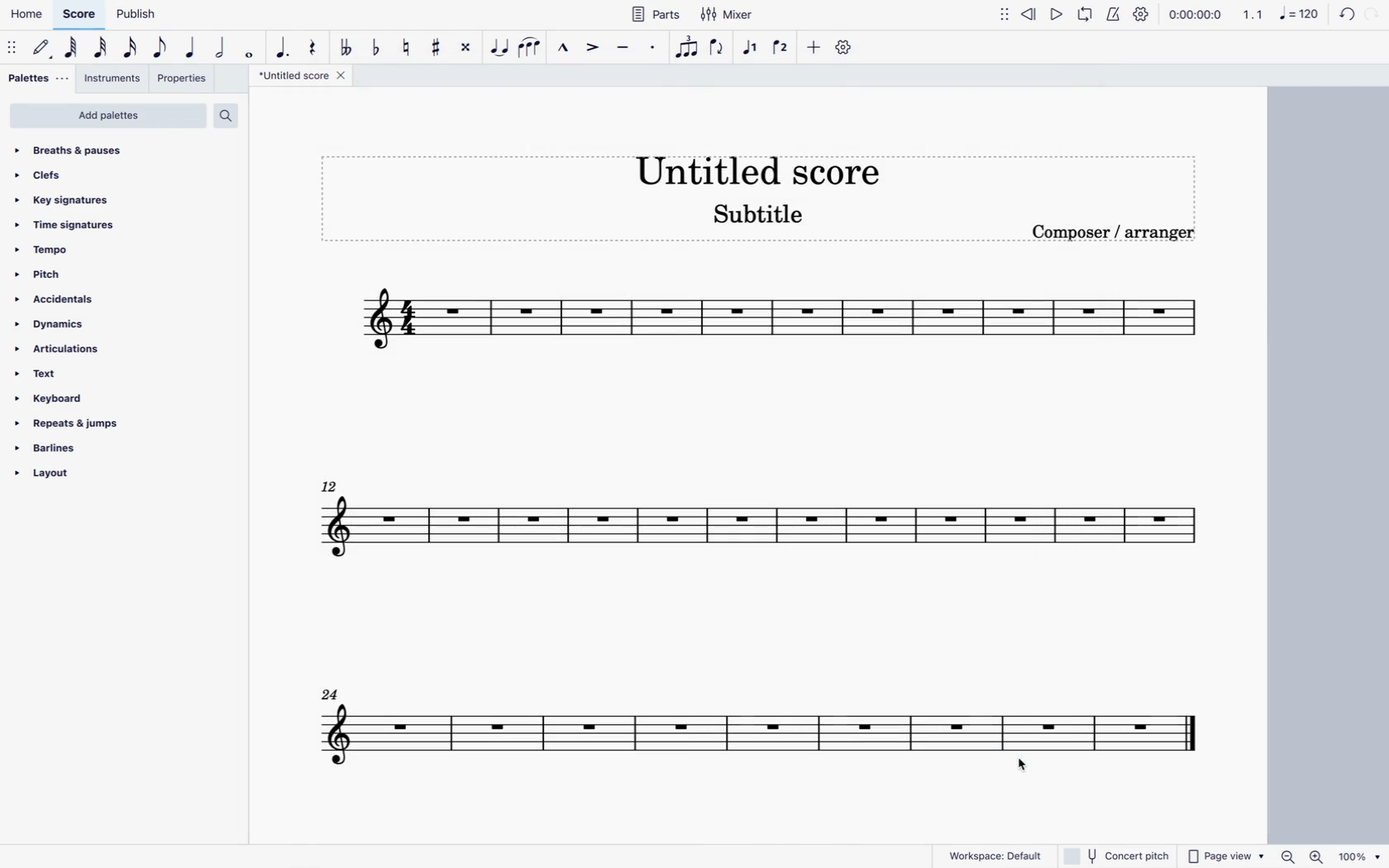  I want to click on toggle flat, so click(375, 49).